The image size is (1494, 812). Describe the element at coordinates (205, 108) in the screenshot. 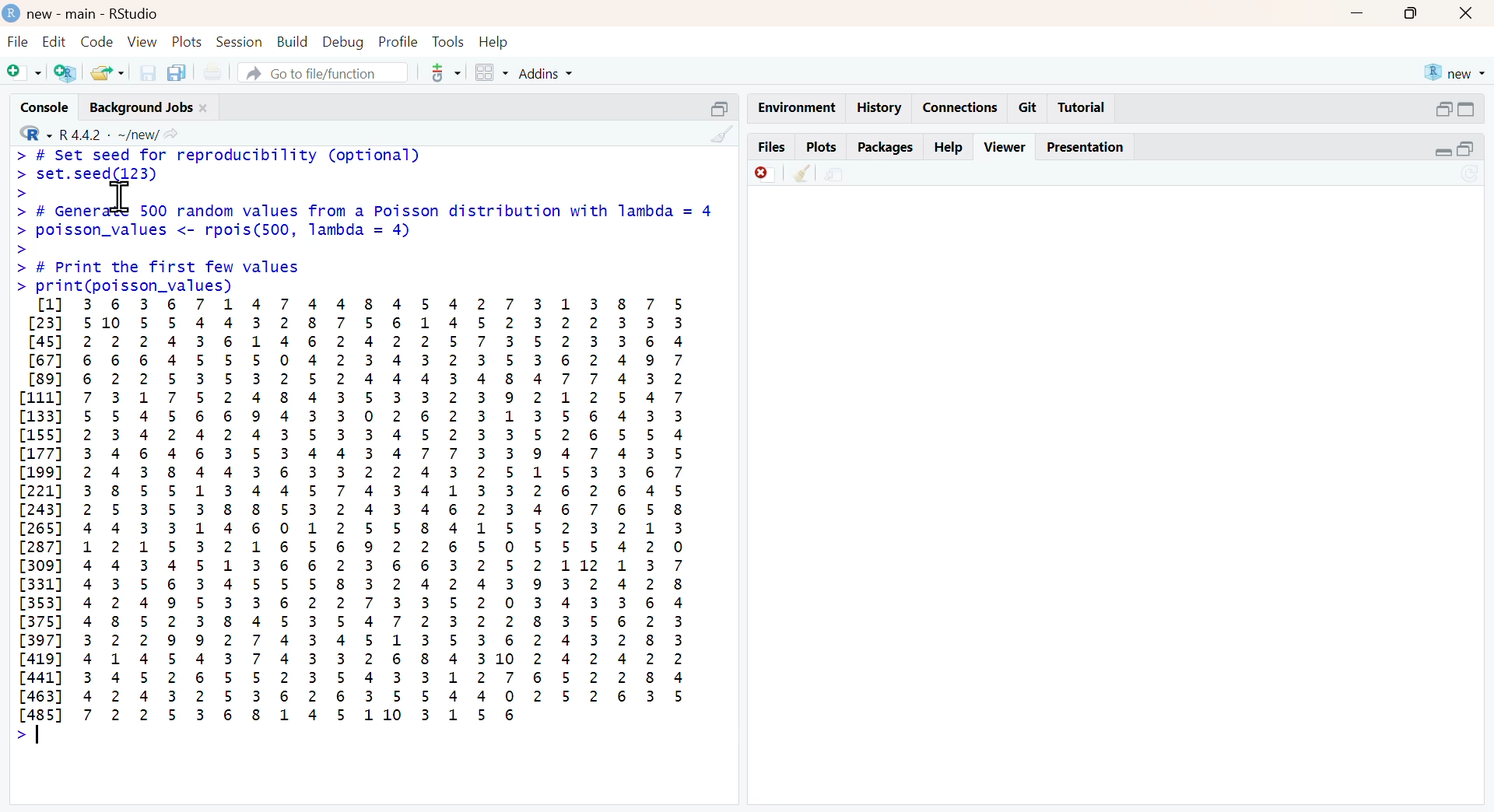

I see `close` at that location.